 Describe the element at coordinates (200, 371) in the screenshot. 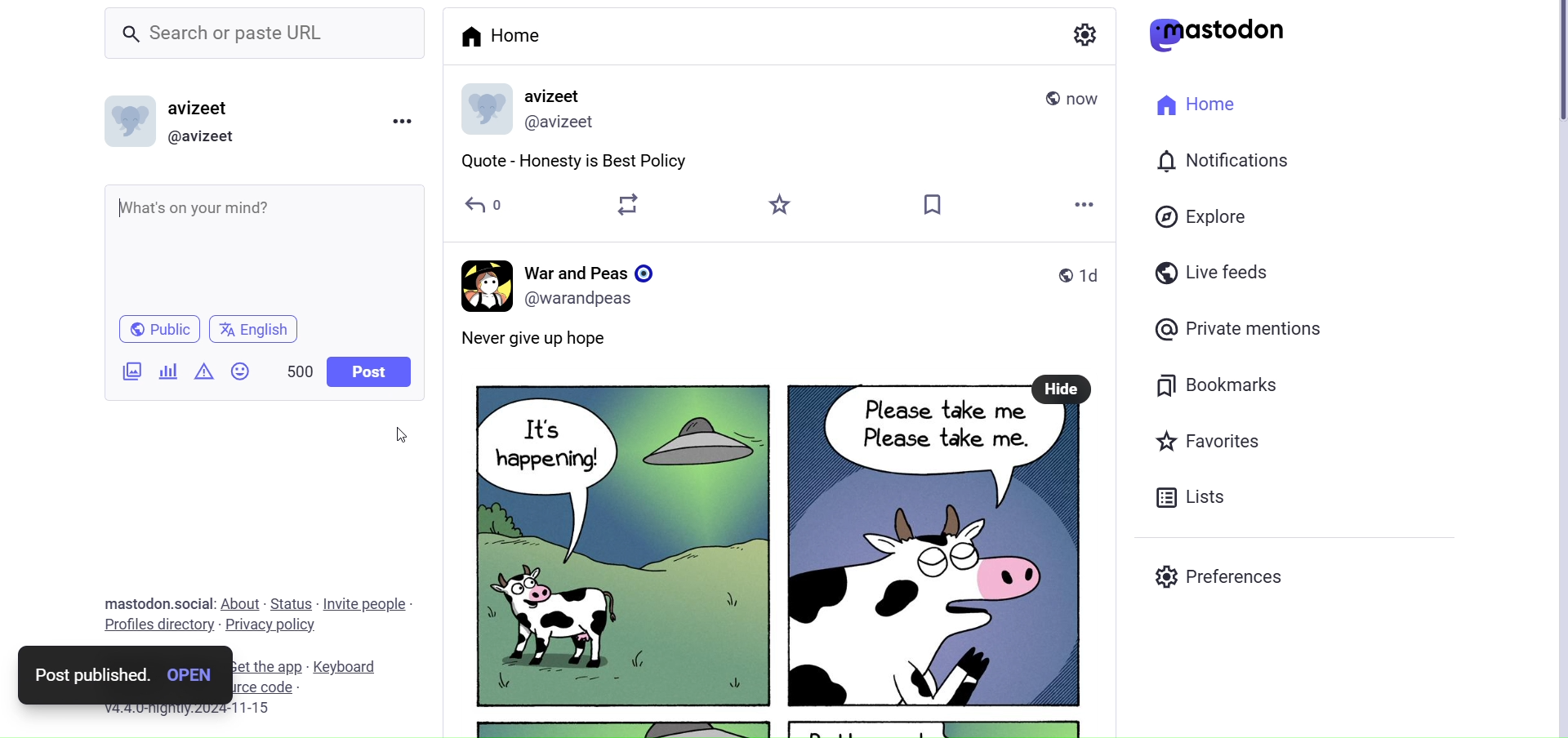

I see `Content Warning` at that location.